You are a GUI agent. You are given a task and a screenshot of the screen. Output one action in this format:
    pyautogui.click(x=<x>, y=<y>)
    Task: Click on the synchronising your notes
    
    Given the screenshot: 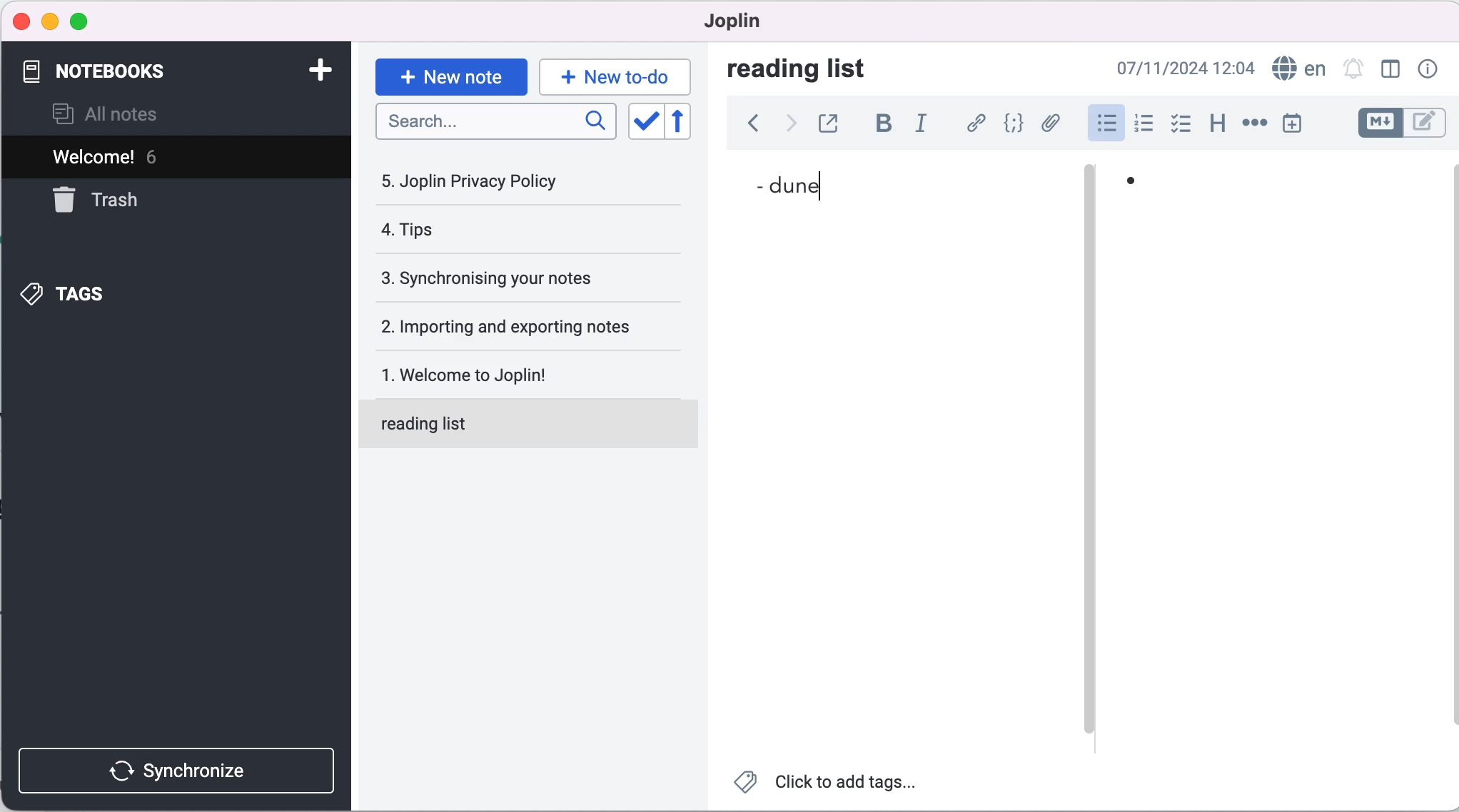 What is the action you would take?
    pyautogui.click(x=525, y=280)
    